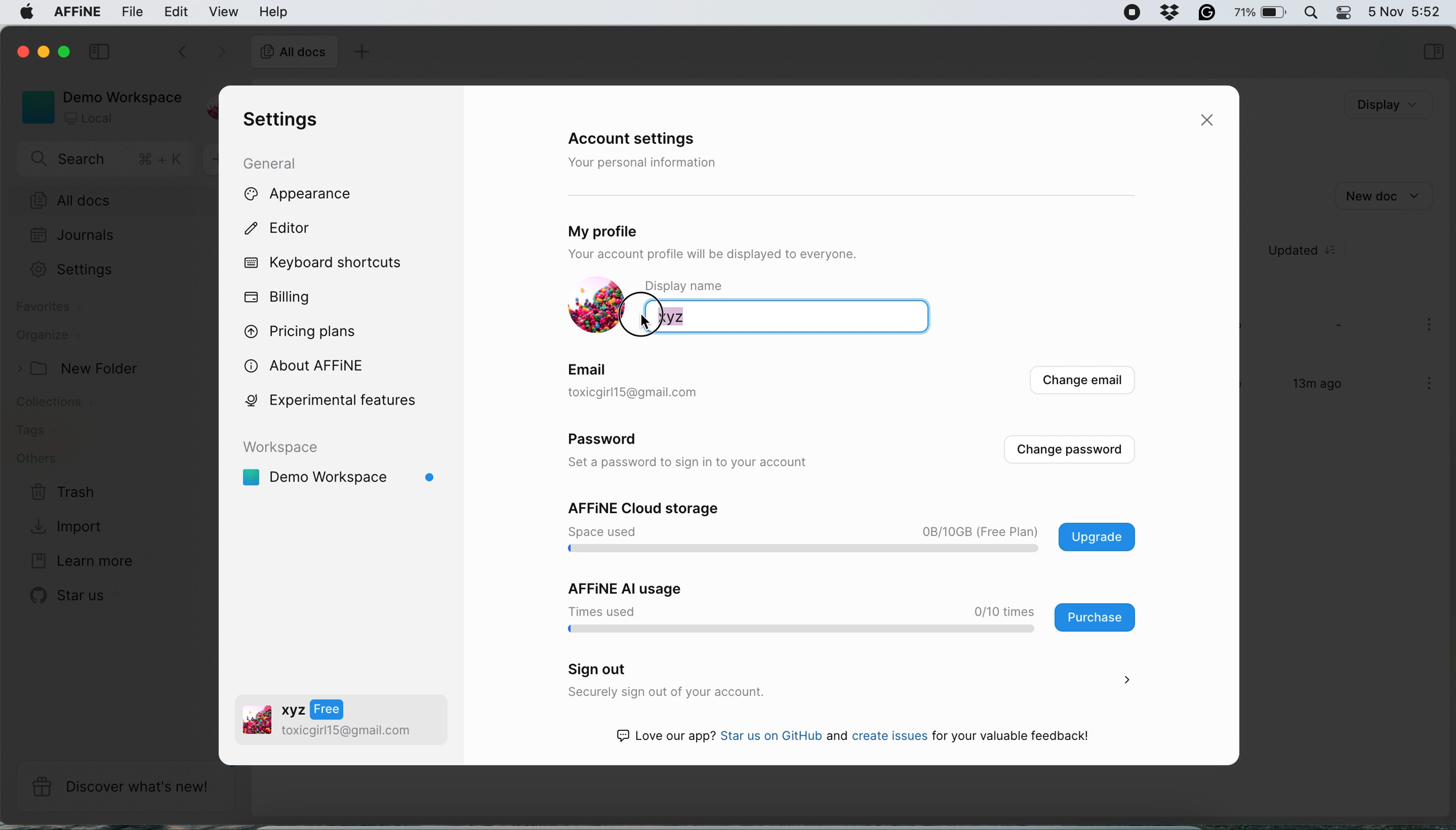 The height and width of the screenshot is (830, 1456). What do you see at coordinates (133, 12) in the screenshot?
I see `file` at bounding box center [133, 12].